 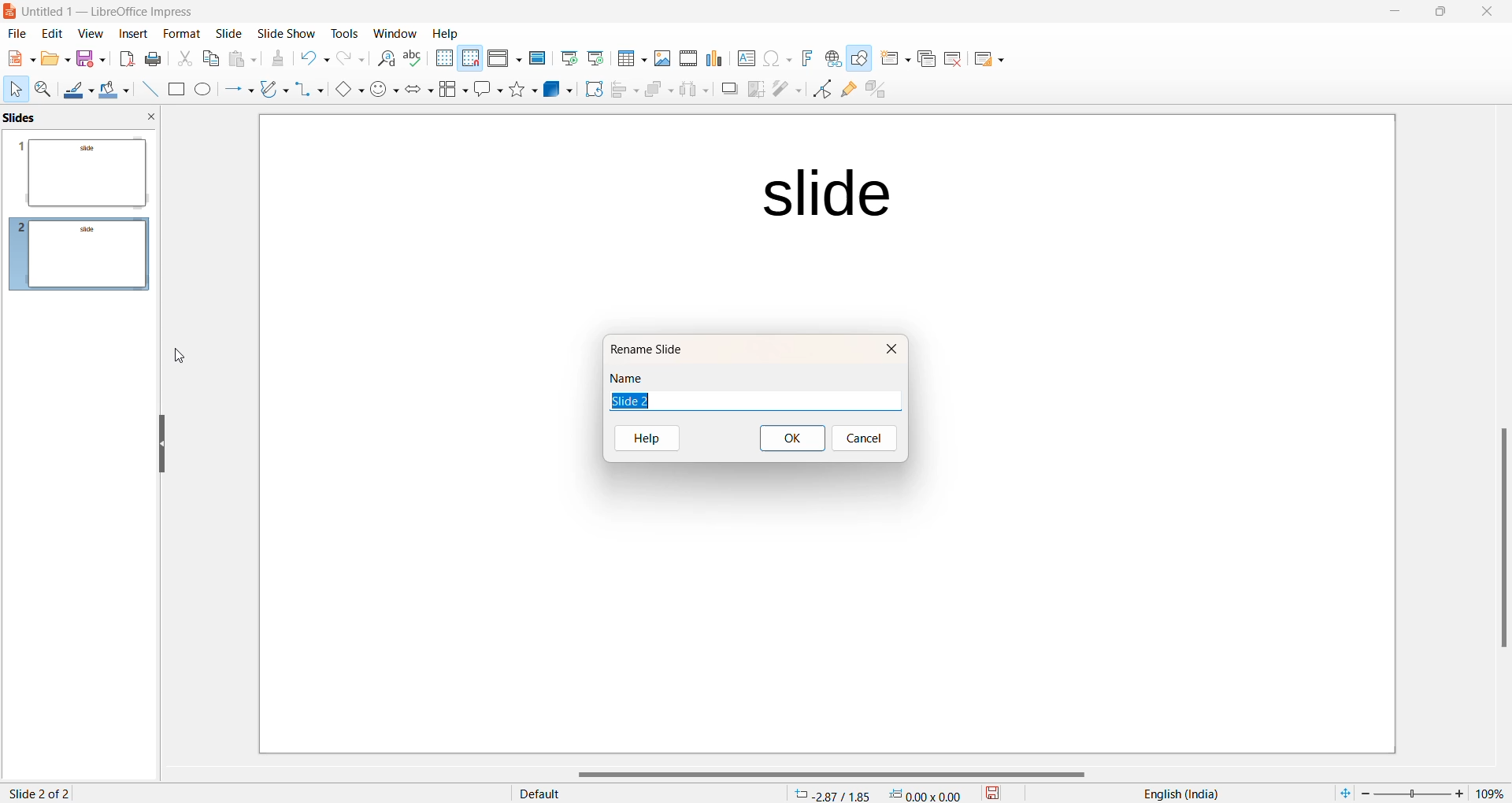 What do you see at coordinates (306, 90) in the screenshot?
I see `connectors` at bounding box center [306, 90].